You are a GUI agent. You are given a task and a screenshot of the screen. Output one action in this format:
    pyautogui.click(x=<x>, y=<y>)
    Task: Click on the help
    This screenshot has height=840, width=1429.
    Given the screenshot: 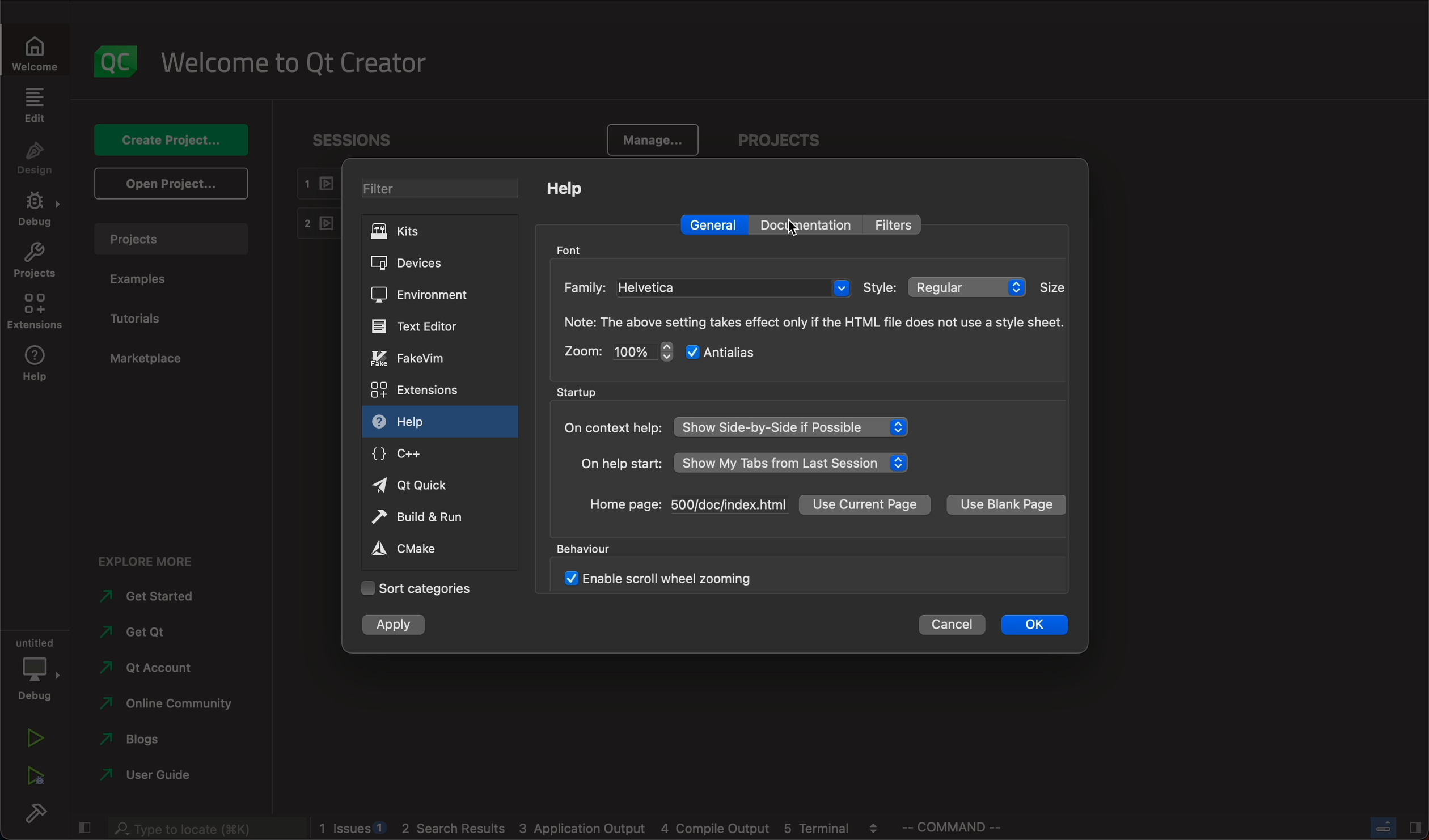 What is the action you would take?
    pyautogui.click(x=39, y=363)
    